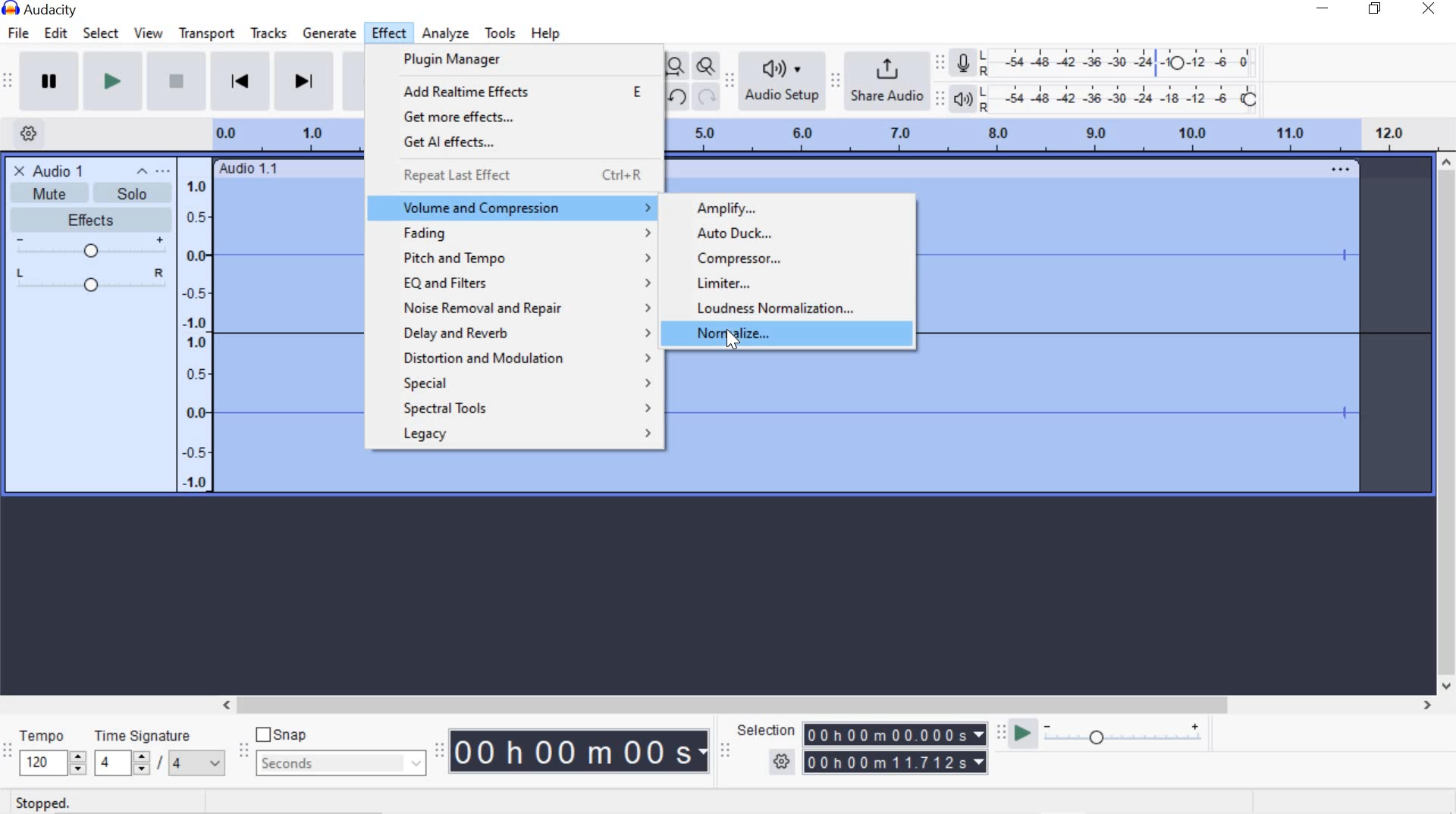 This screenshot has height=814, width=1456. Describe the element at coordinates (89, 282) in the screenshot. I see `Pan` at that location.